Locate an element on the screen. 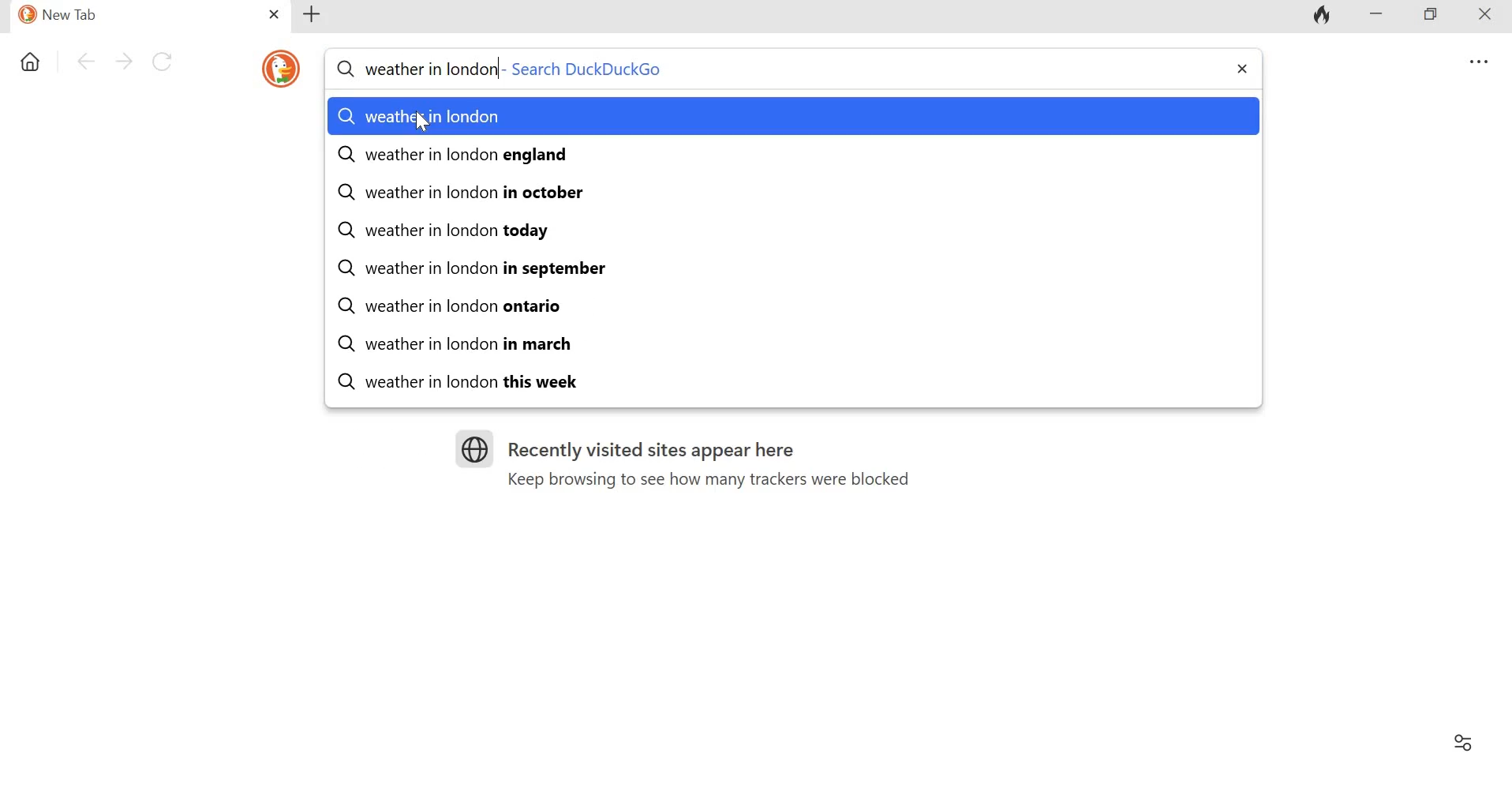 The width and height of the screenshot is (1512, 791). Close tab is located at coordinates (274, 14).